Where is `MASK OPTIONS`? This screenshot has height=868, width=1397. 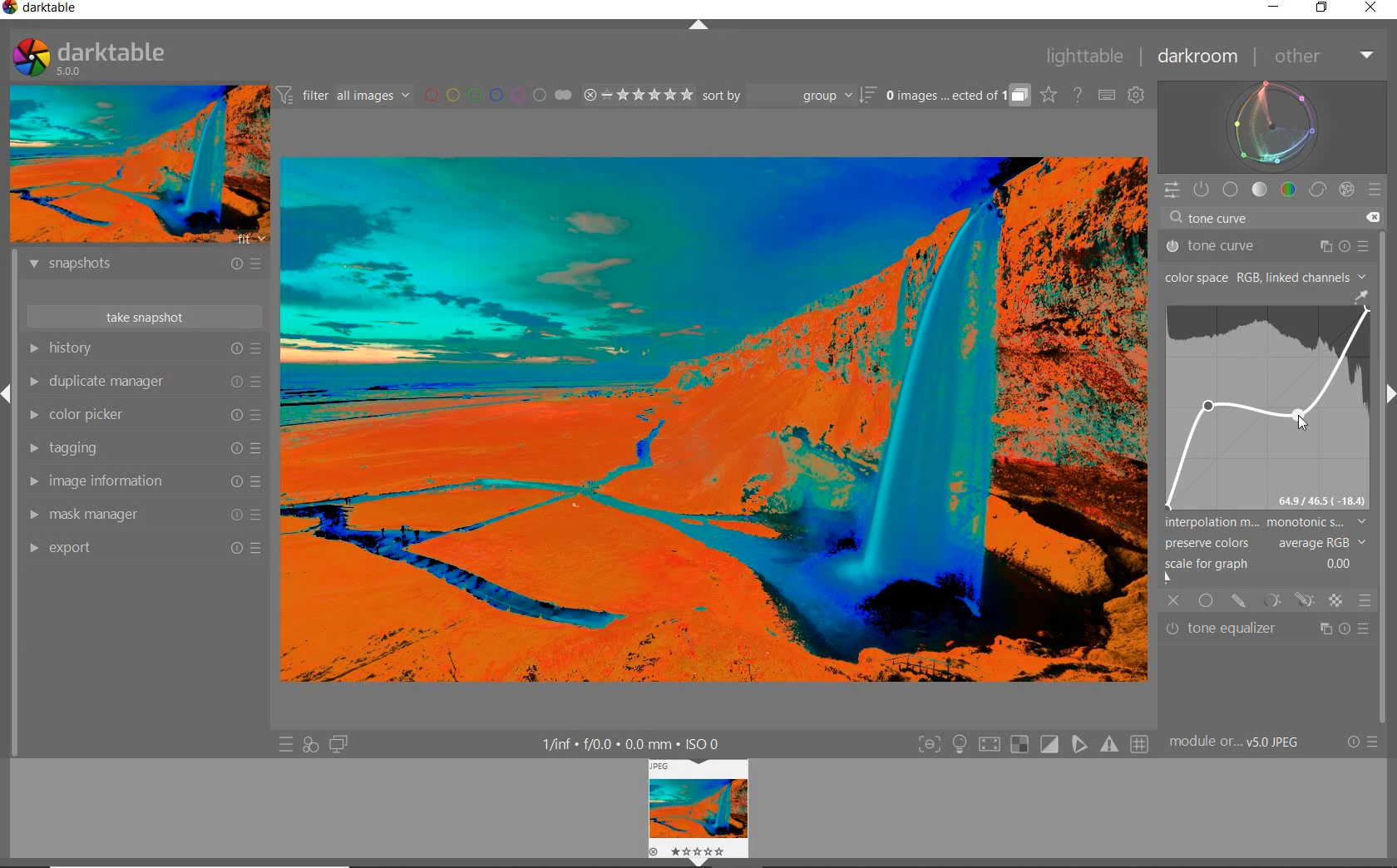 MASK OPTIONS is located at coordinates (1287, 601).